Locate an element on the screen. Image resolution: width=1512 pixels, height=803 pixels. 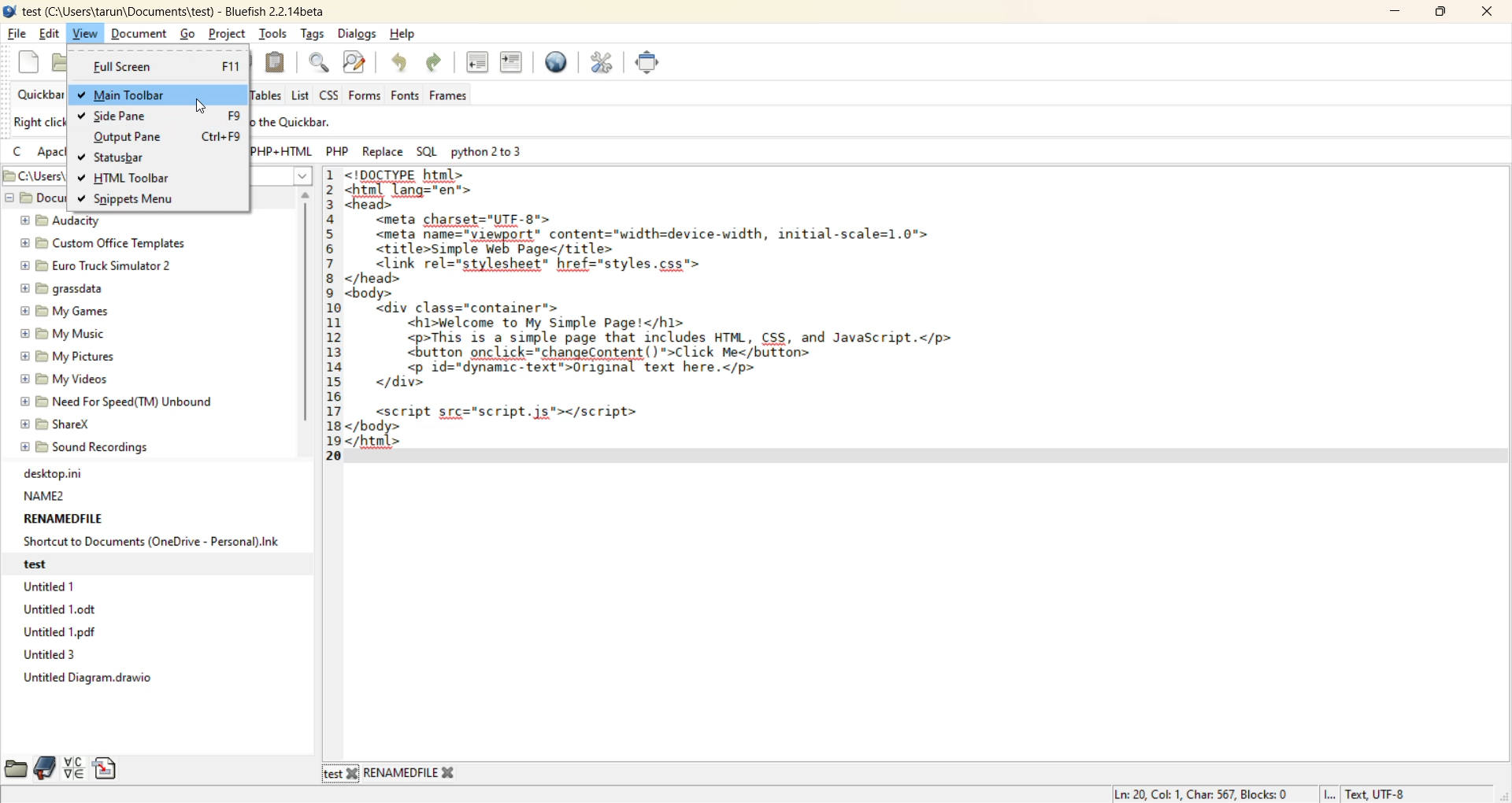
php is located at coordinates (339, 151).